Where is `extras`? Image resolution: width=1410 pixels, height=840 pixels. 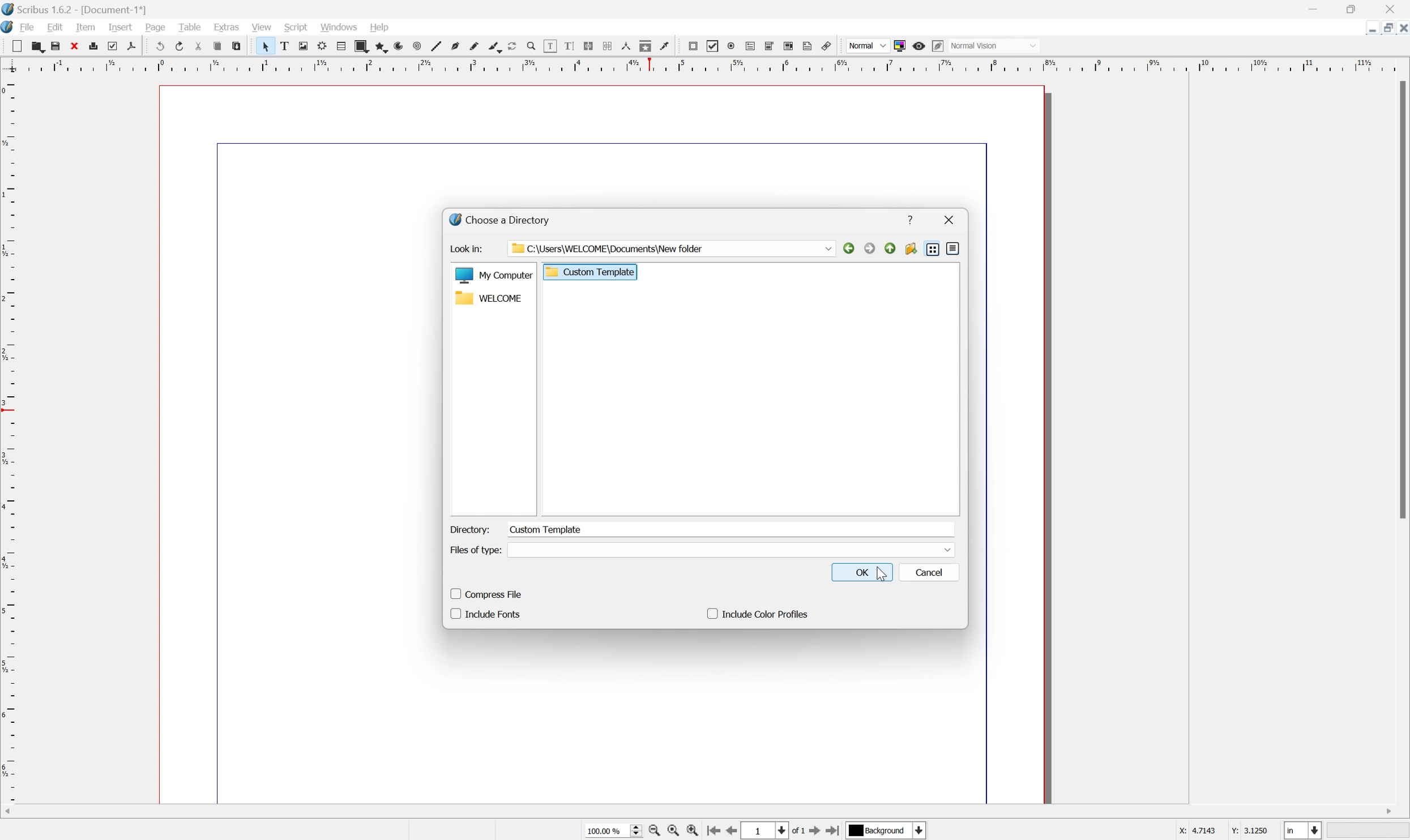 extras is located at coordinates (226, 27).